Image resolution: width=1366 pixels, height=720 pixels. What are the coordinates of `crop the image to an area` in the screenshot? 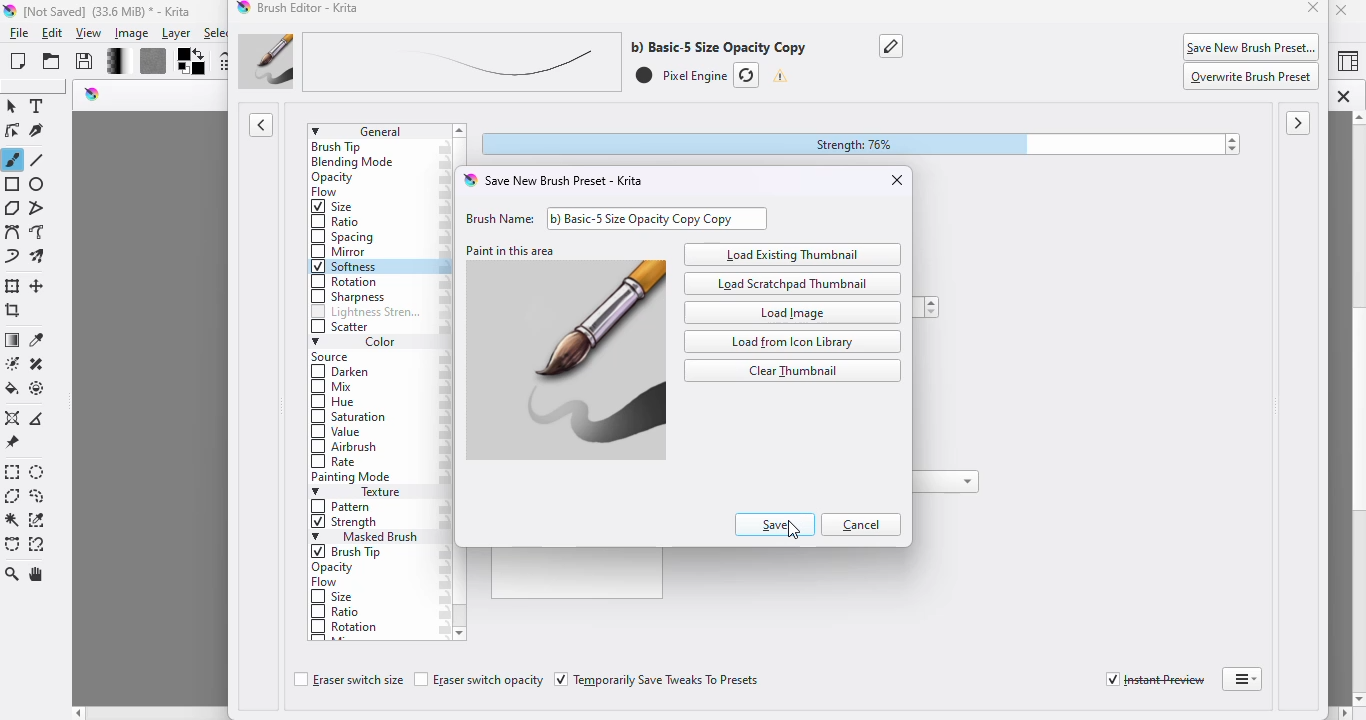 It's located at (12, 311).